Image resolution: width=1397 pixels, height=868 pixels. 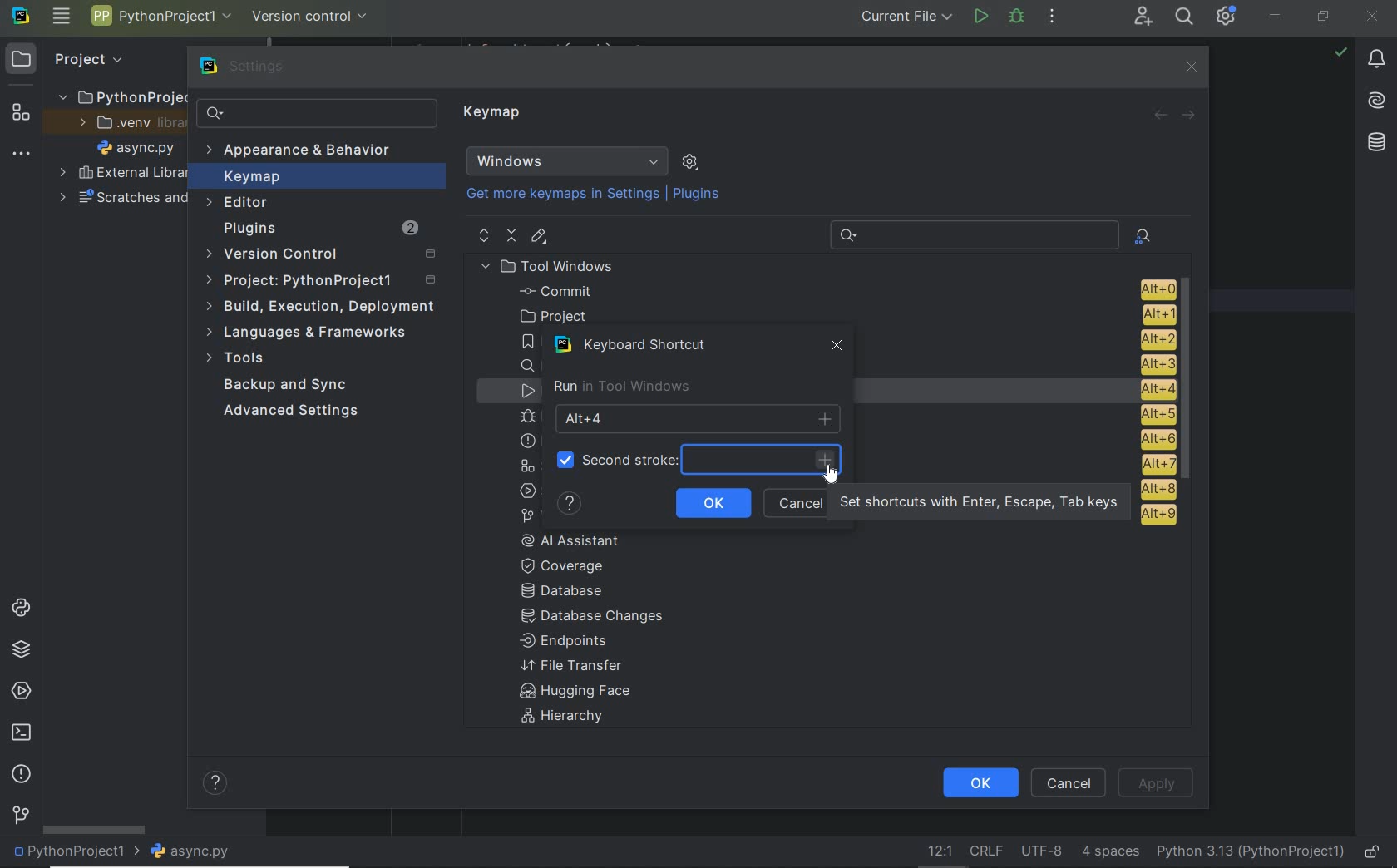 I want to click on python consoles, so click(x=19, y=608).